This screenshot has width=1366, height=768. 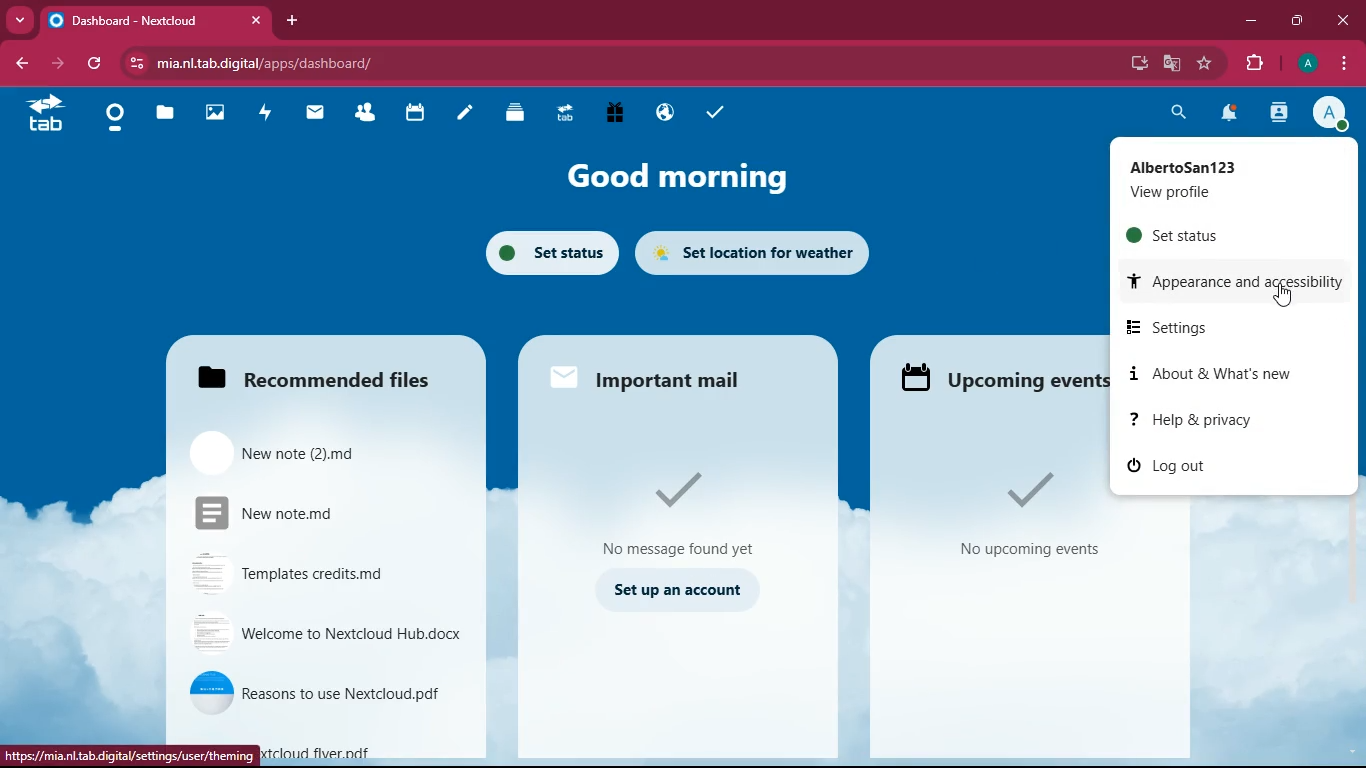 I want to click on no message found yet, so click(x=687, y=510).